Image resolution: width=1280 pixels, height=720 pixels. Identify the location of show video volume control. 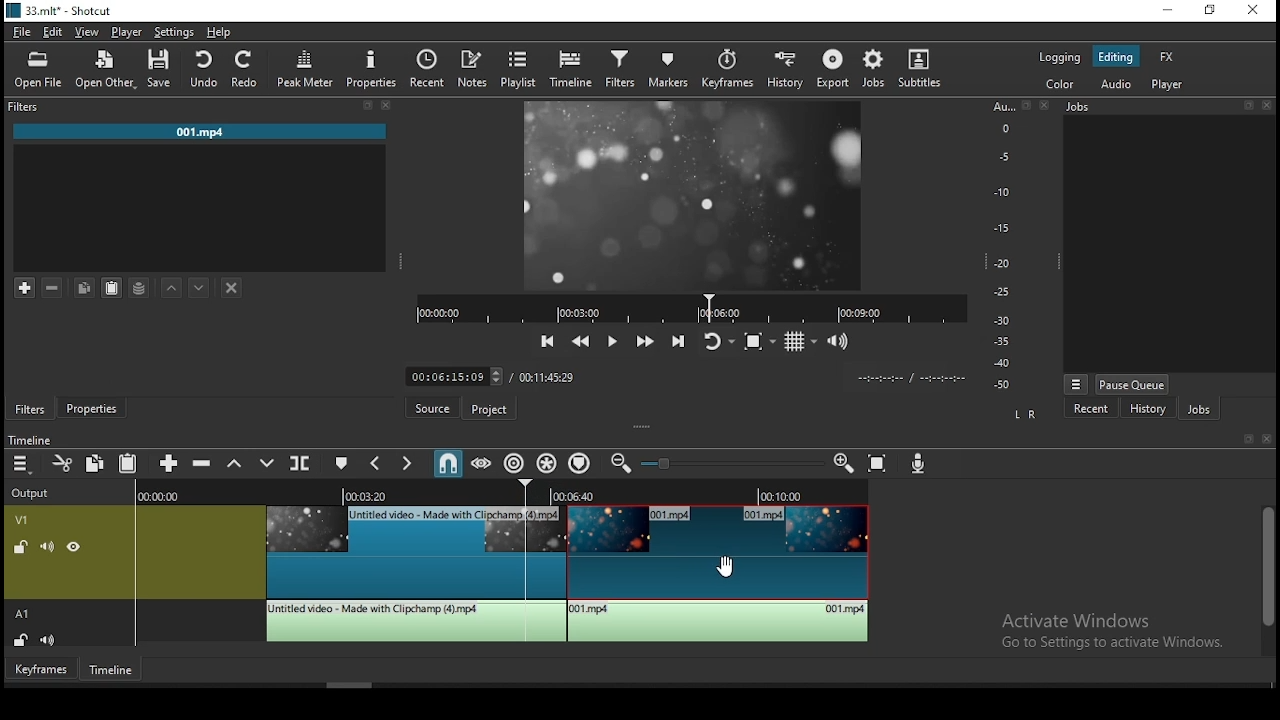
(839, 338).